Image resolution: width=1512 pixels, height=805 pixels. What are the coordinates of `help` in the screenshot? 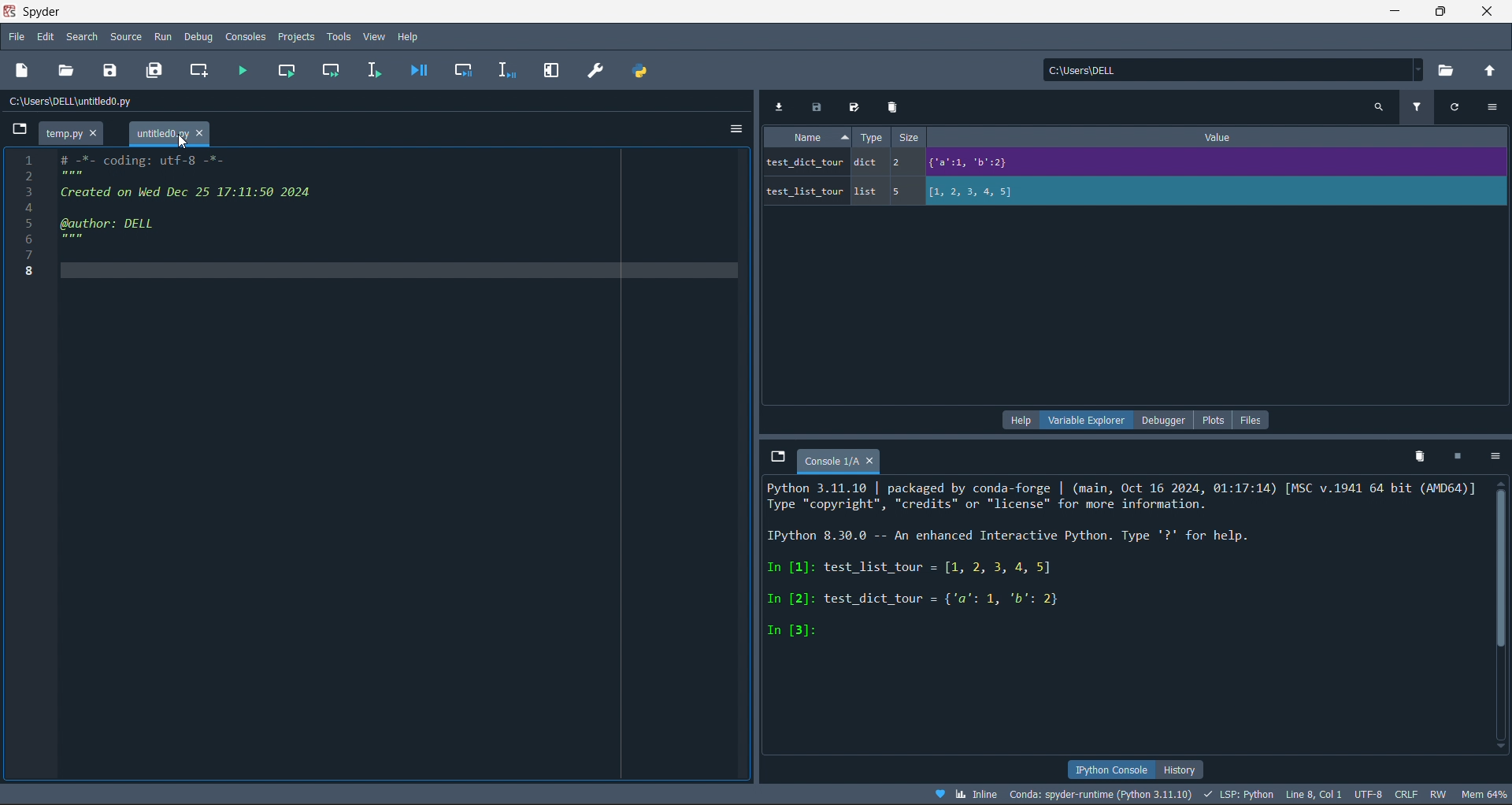 It's located at (408, 35).